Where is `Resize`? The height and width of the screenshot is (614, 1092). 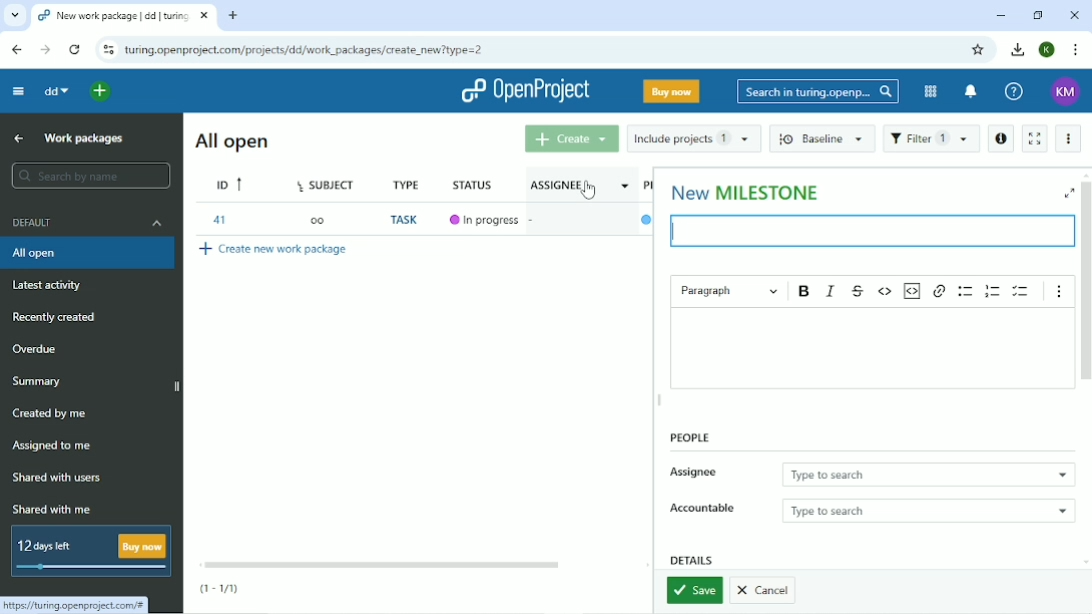 Resize is located at coordinates (660, 402).